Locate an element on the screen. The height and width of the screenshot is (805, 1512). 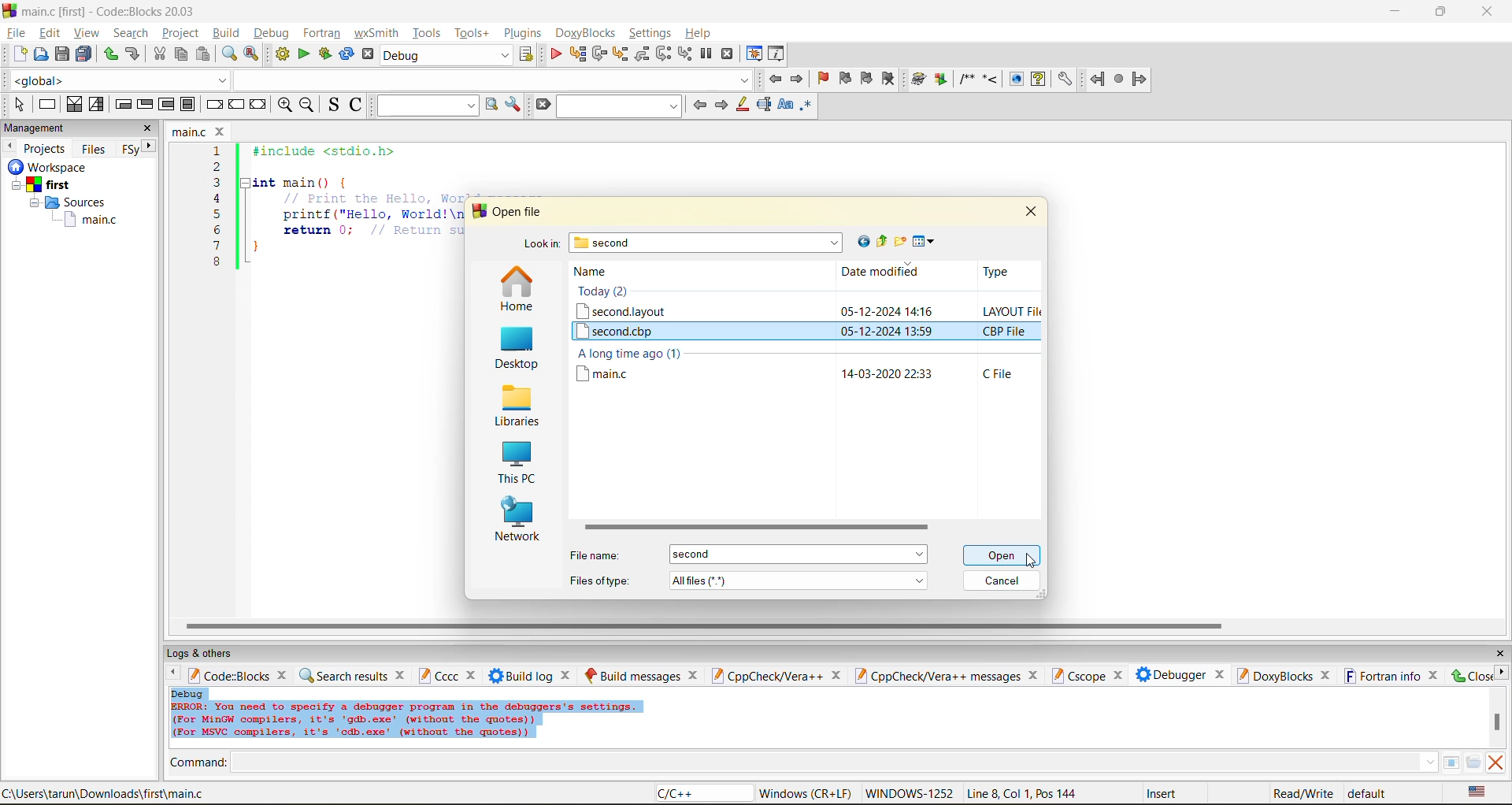
Error info is located at coordinates (406, 721).